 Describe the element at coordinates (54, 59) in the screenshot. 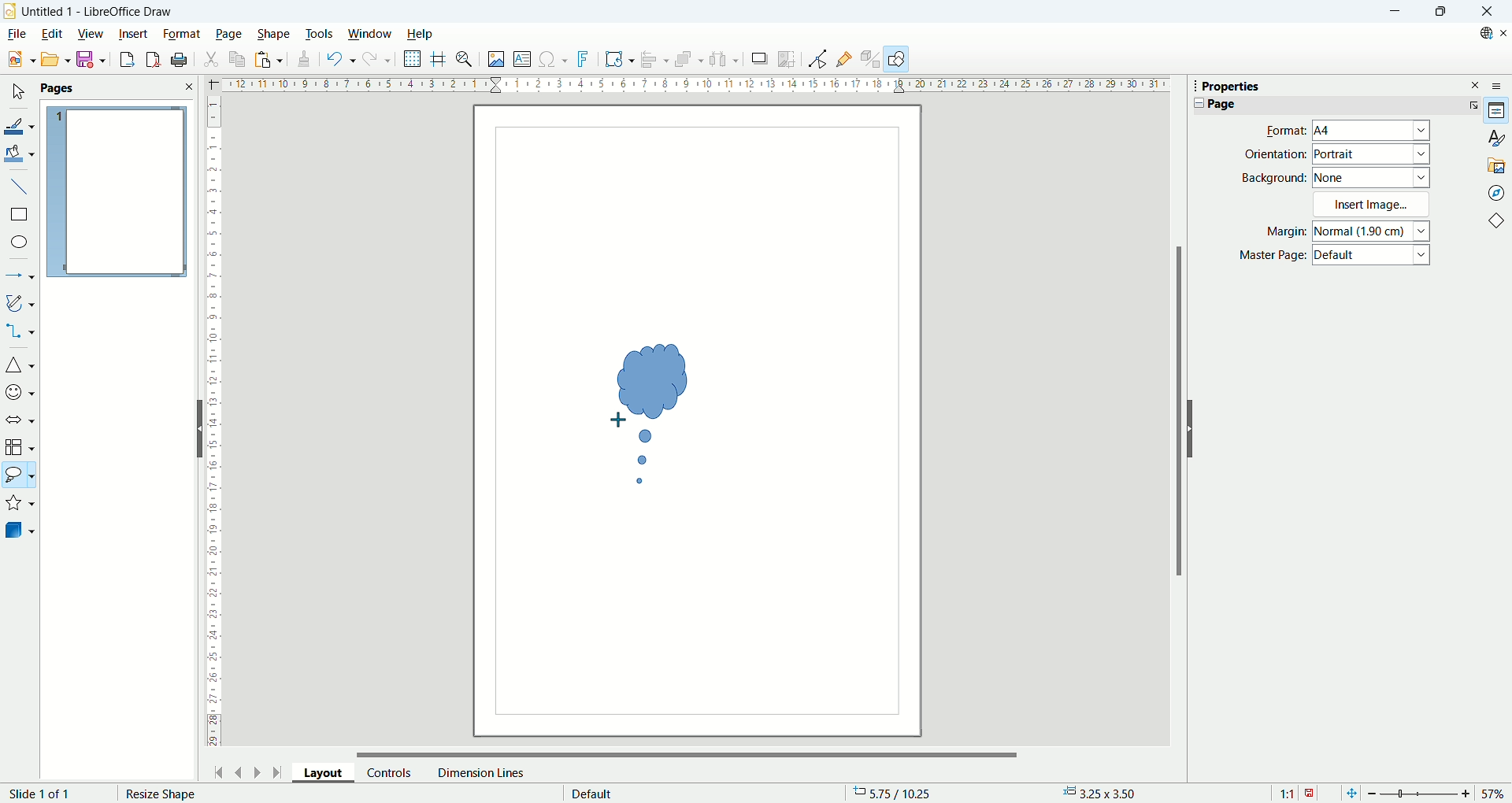

I see `open` at that location.